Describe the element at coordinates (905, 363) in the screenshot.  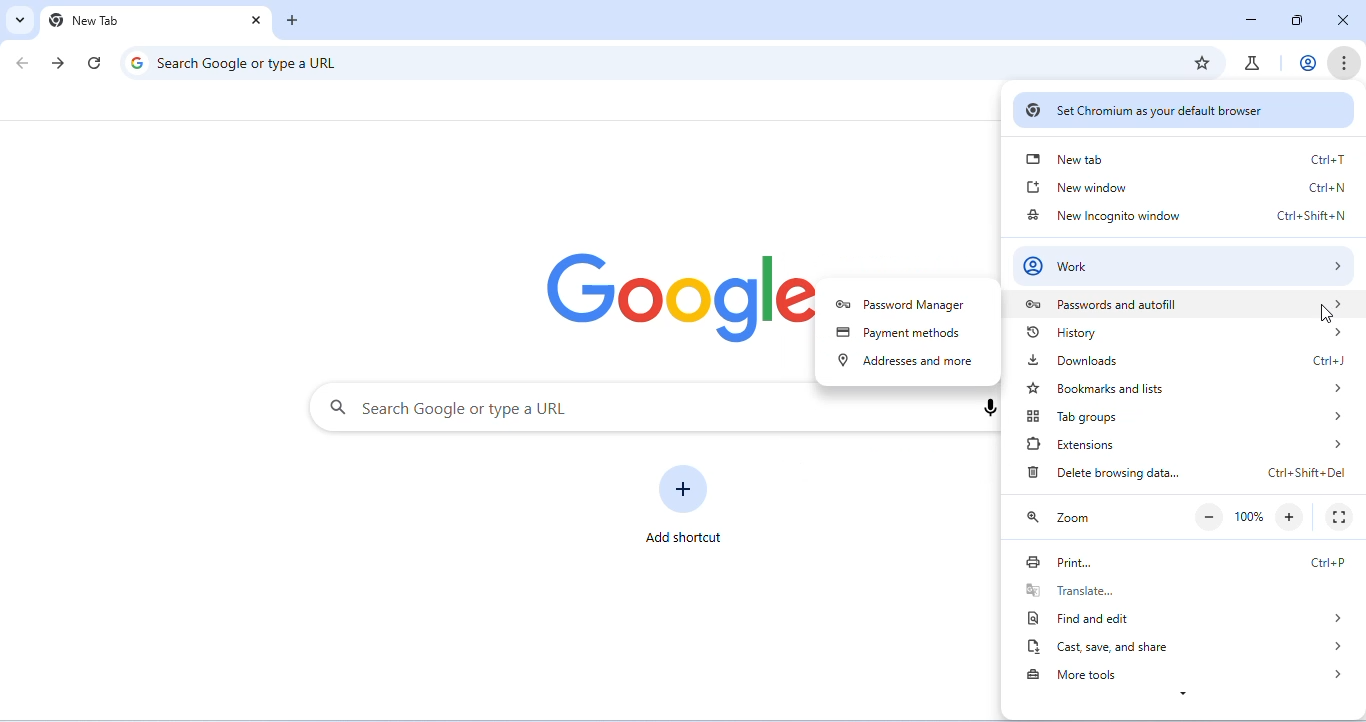
I see `address and more` at that location.